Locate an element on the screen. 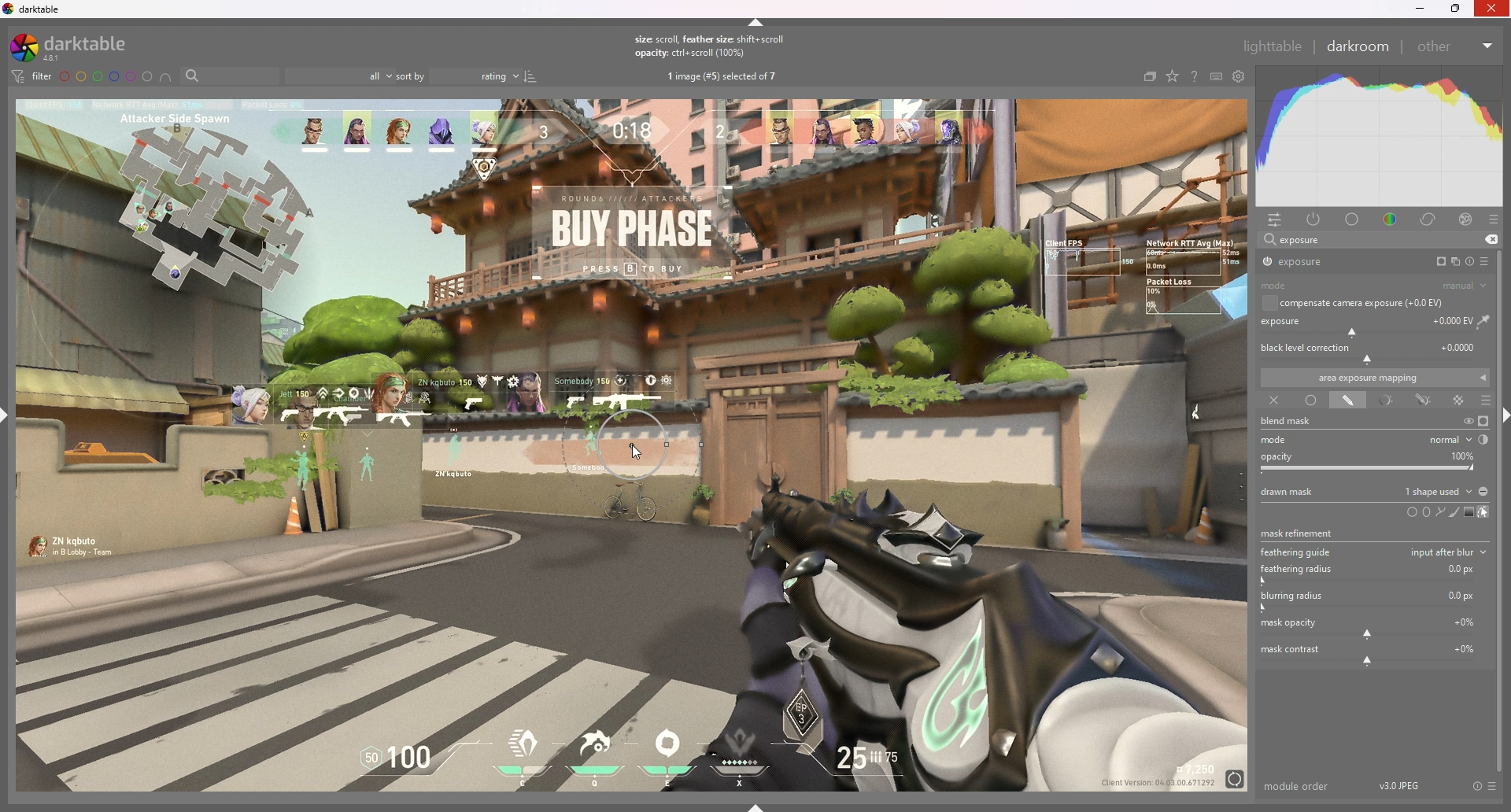 This screenshot has width=1511, height=812. black level correction is located at coordinates (1373, 352).